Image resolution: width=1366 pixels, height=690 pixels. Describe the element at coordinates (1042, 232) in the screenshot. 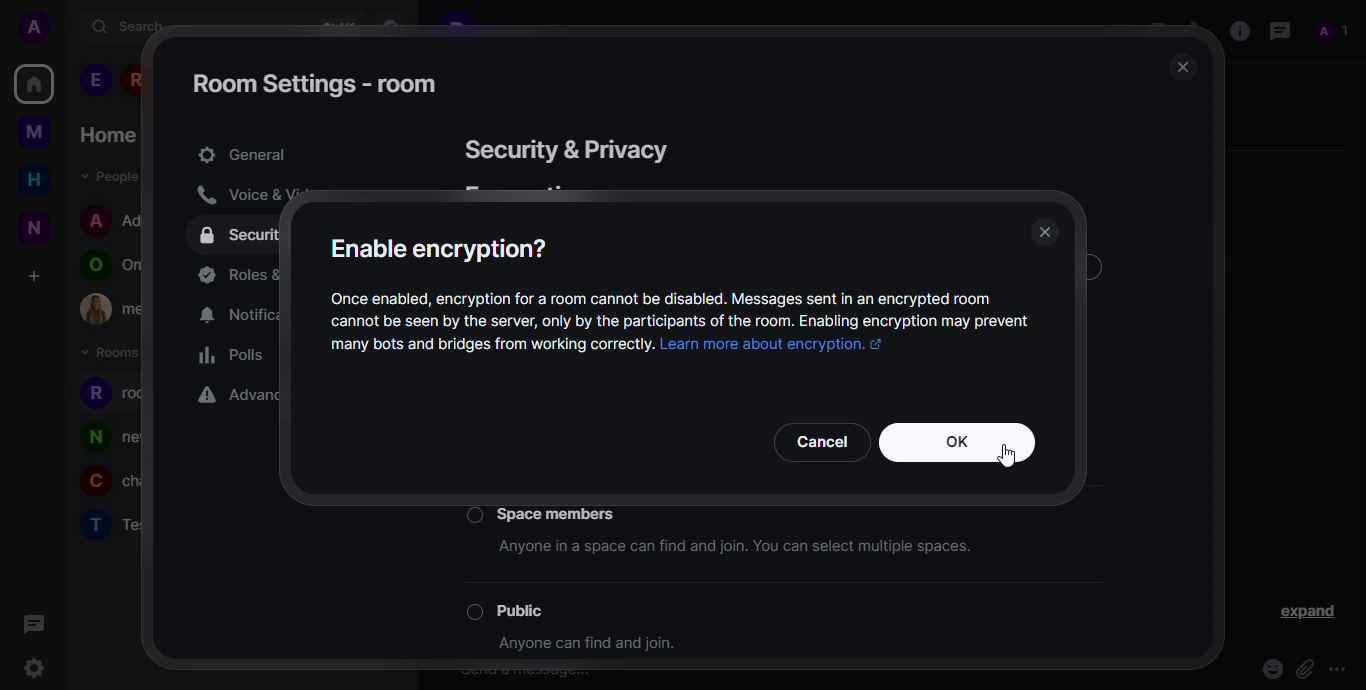

I see `close` at that location.